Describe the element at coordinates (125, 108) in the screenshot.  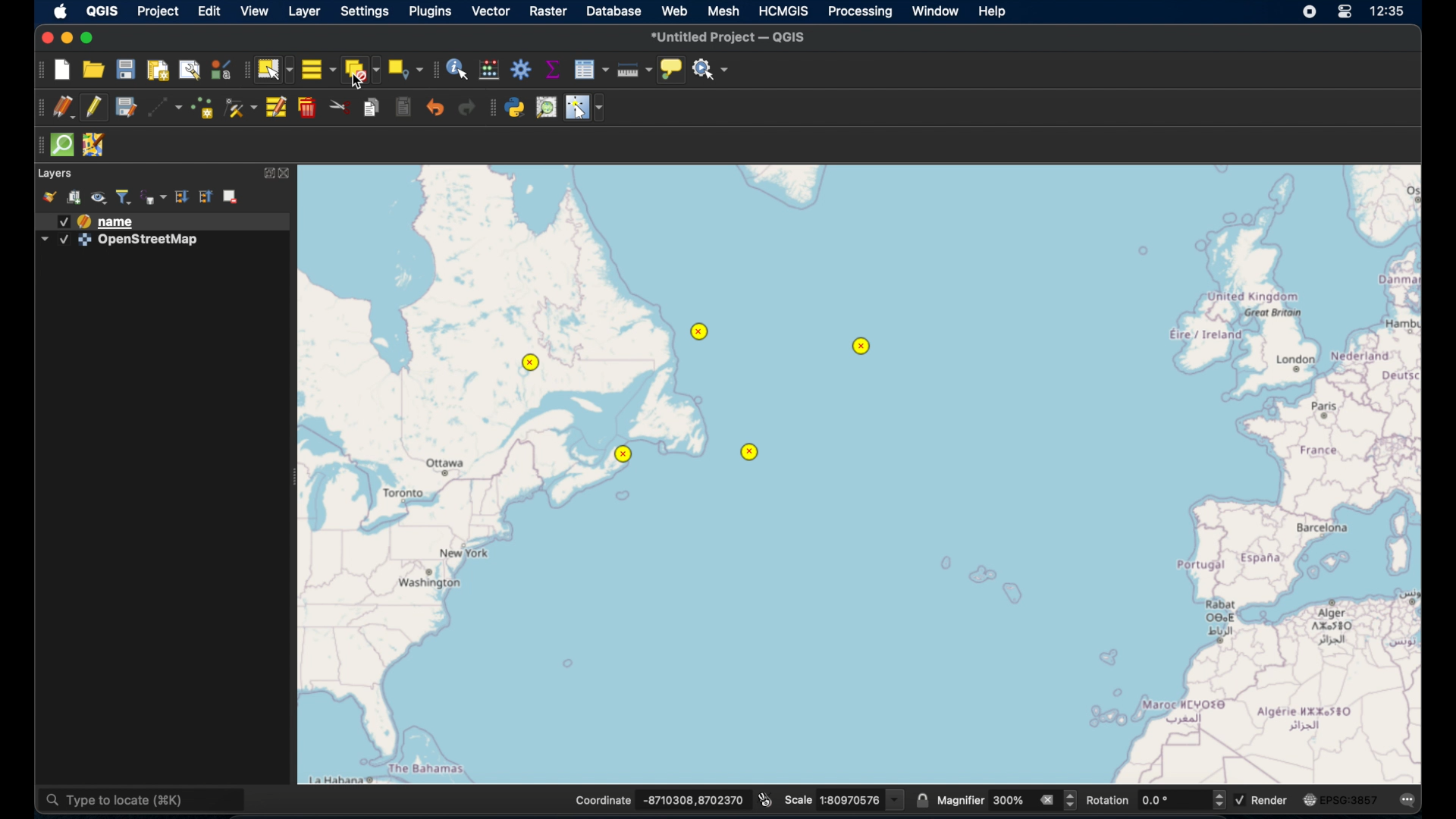
I see `save edits` at that location.